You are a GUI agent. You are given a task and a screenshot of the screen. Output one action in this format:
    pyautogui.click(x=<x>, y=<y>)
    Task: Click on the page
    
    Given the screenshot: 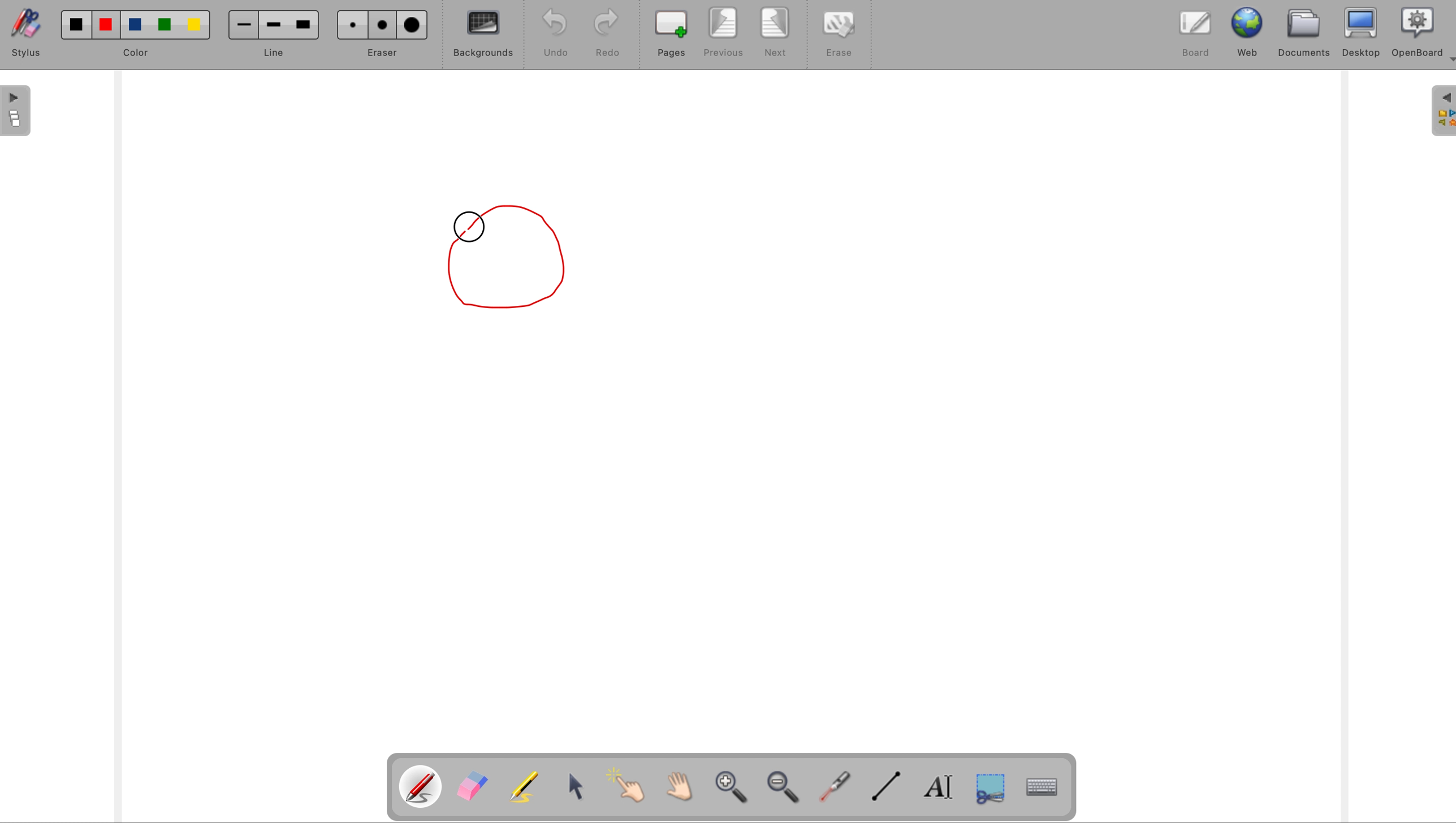 What is the action you would take?
    pyautogui.click(x=15, y=111)
    